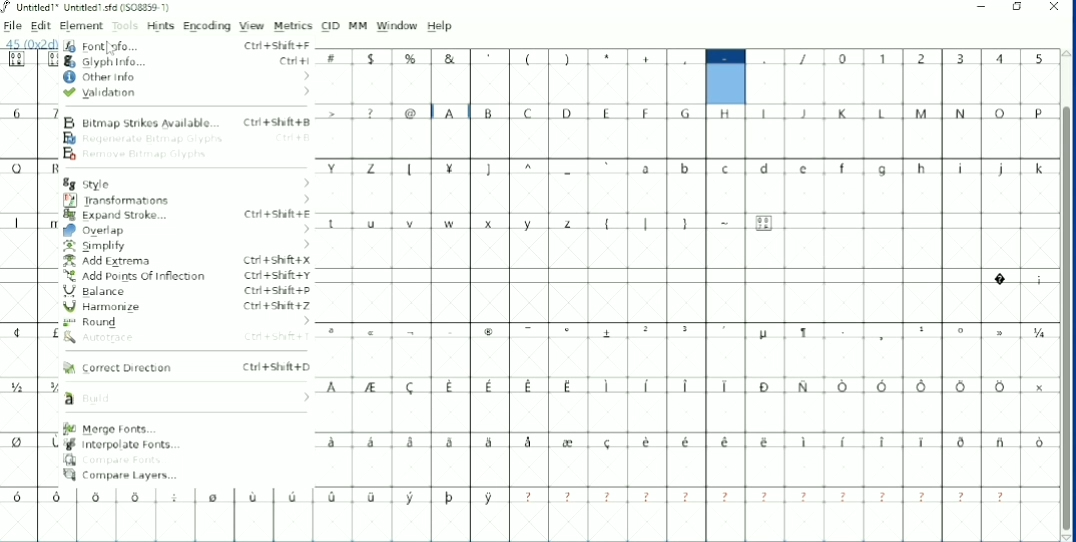 This screenshot has width=1076, height=542. Describe the element at coordinates (688, 331) in the screenshot. I see `Symbols` at that location.